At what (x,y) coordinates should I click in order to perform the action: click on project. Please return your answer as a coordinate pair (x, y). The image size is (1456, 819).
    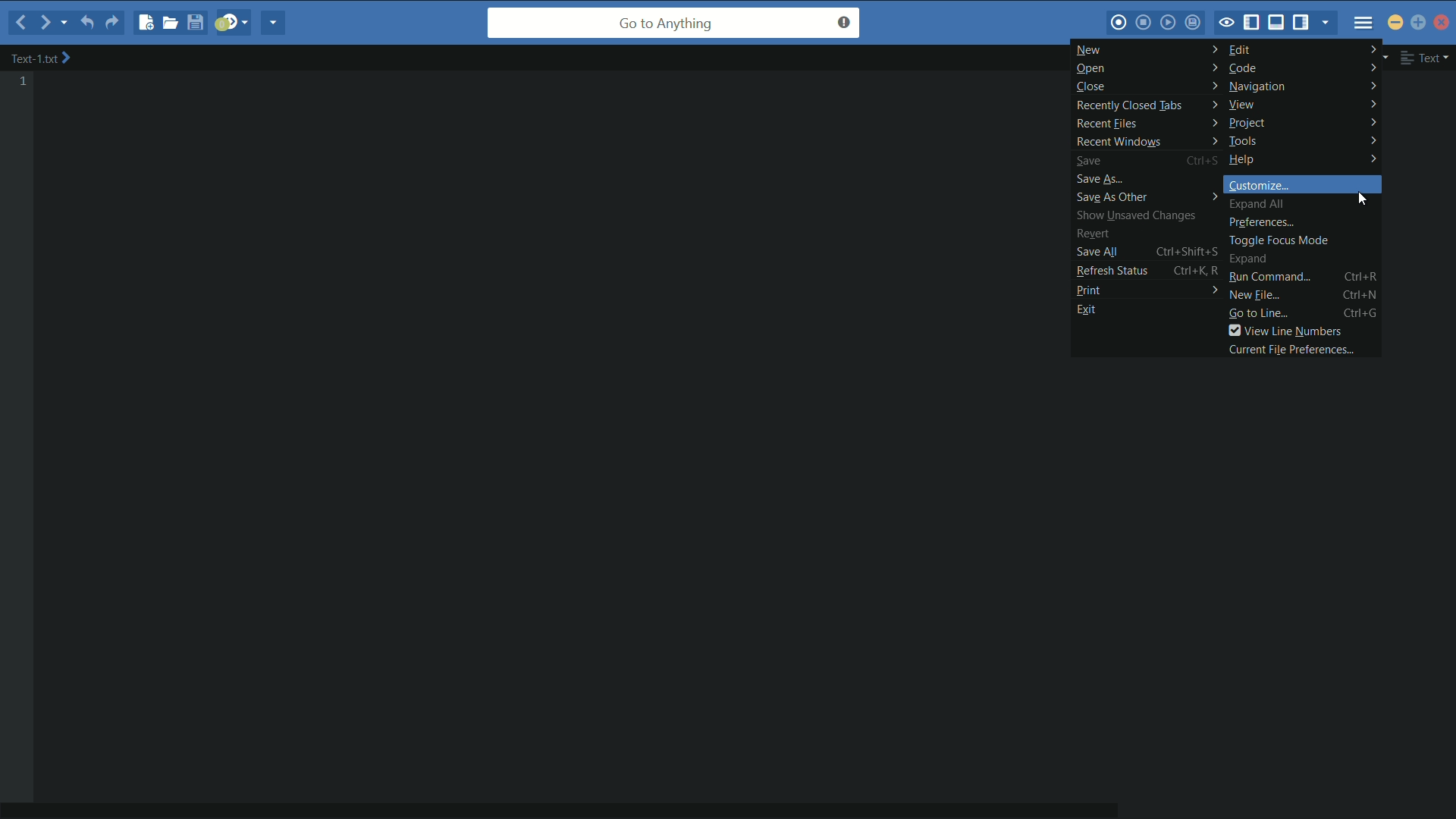
    Looking at the image, I should click on (1301, 124).